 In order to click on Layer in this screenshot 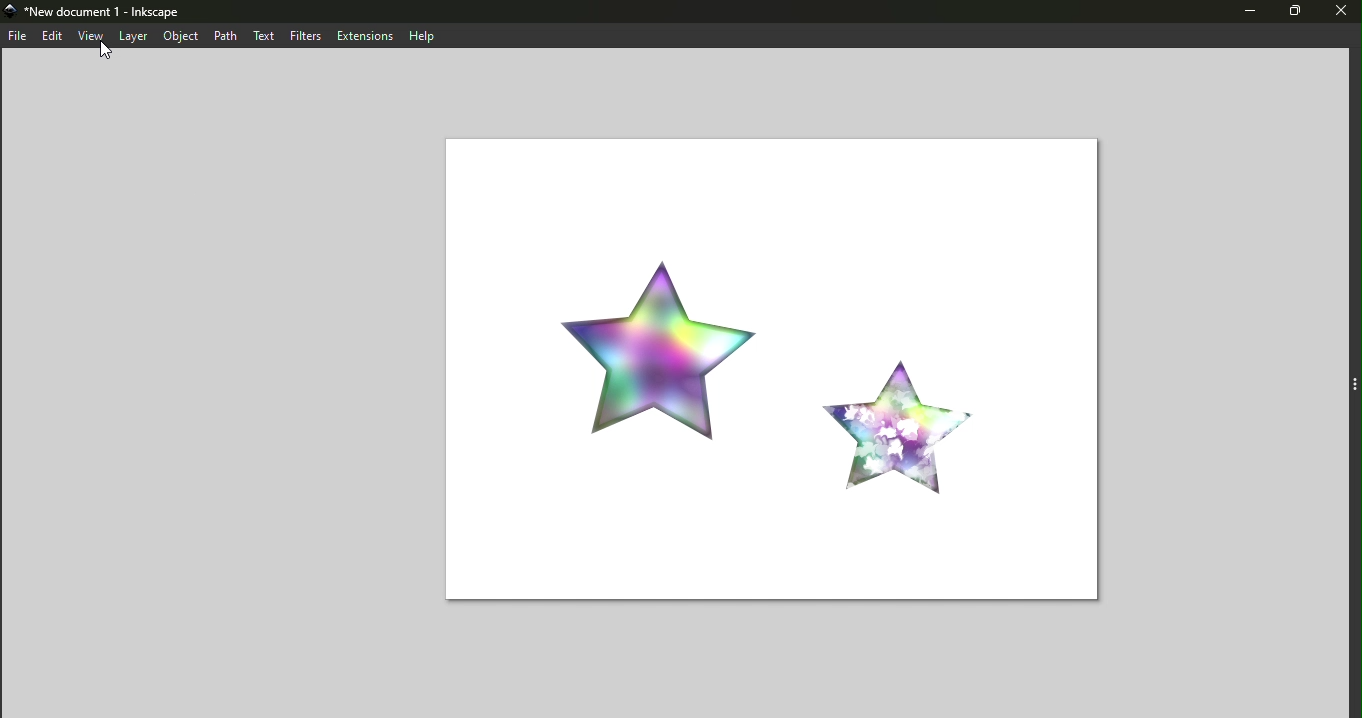, I will do `click(136, 36)`.